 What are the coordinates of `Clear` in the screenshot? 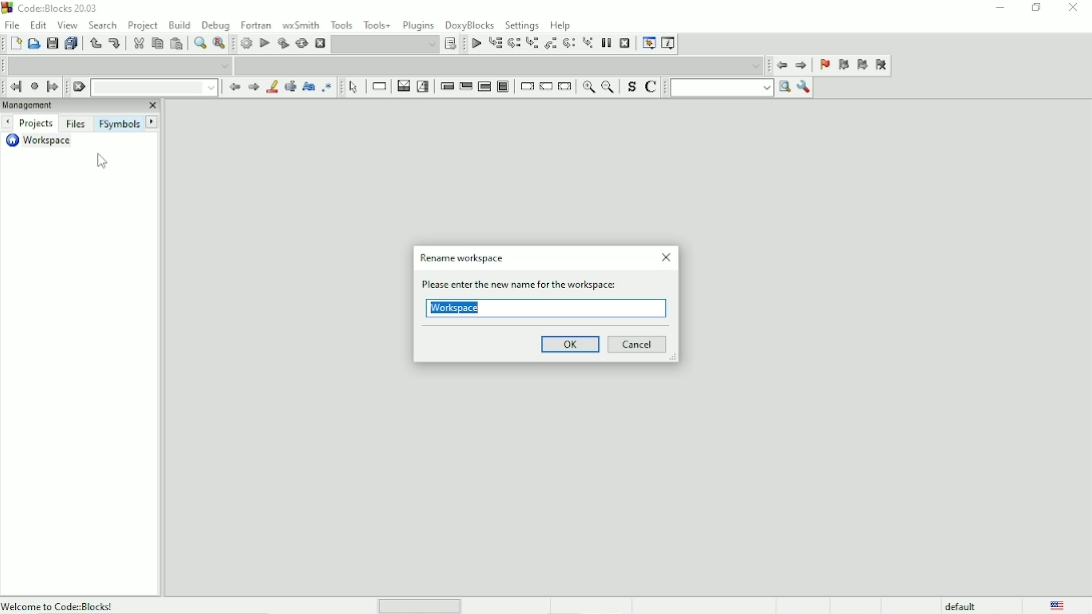 It's located at (79, 87).